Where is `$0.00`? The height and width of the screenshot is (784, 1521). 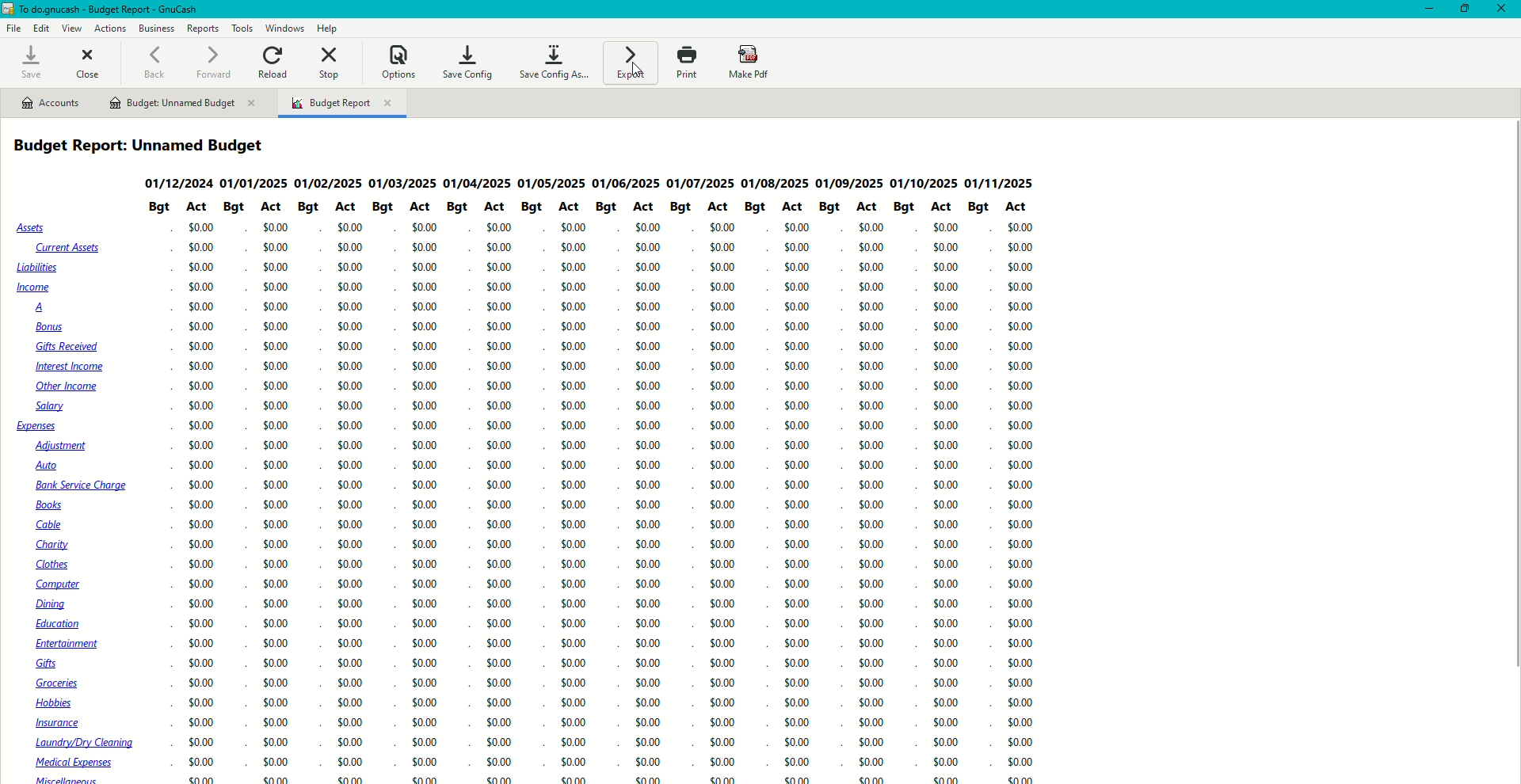 $0.00 is located at coordinates (575, 565).